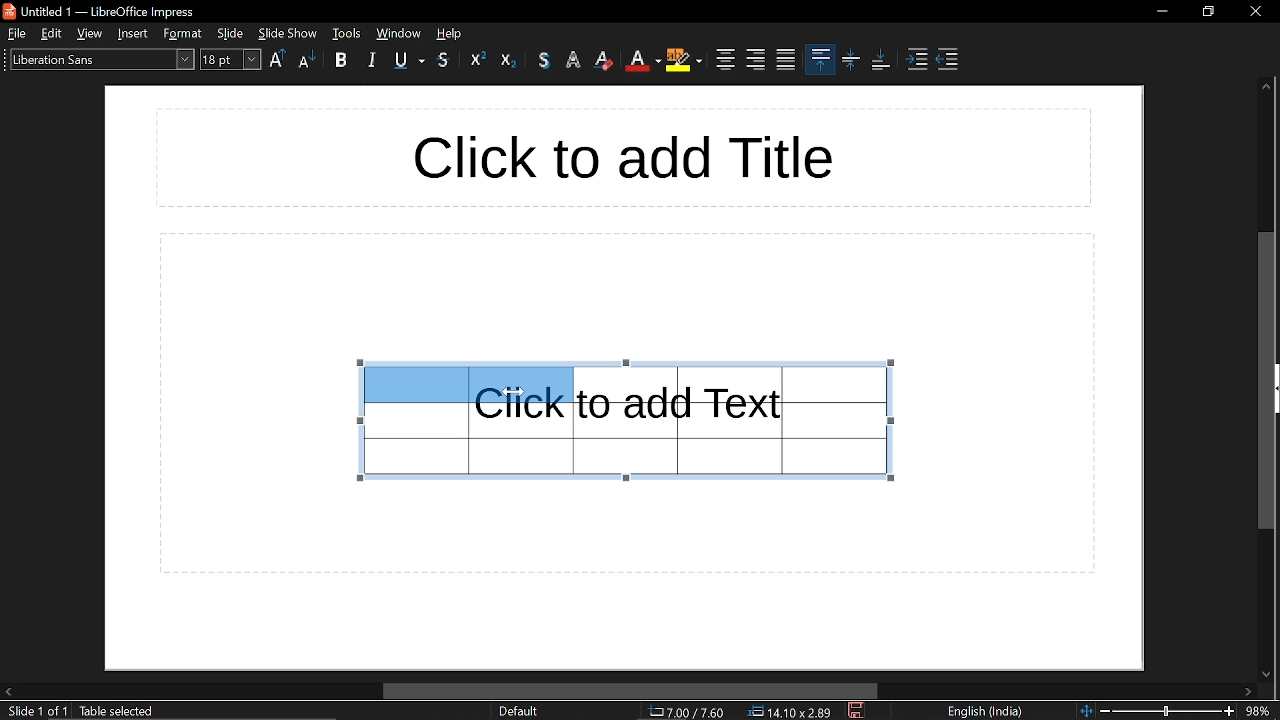 Image resolution: width=1280 pixels, height=720 pixels. What do you see at coordinates (444, 60) in the screenshot?
I see `srikethrough` at bounding box center [444, 60].